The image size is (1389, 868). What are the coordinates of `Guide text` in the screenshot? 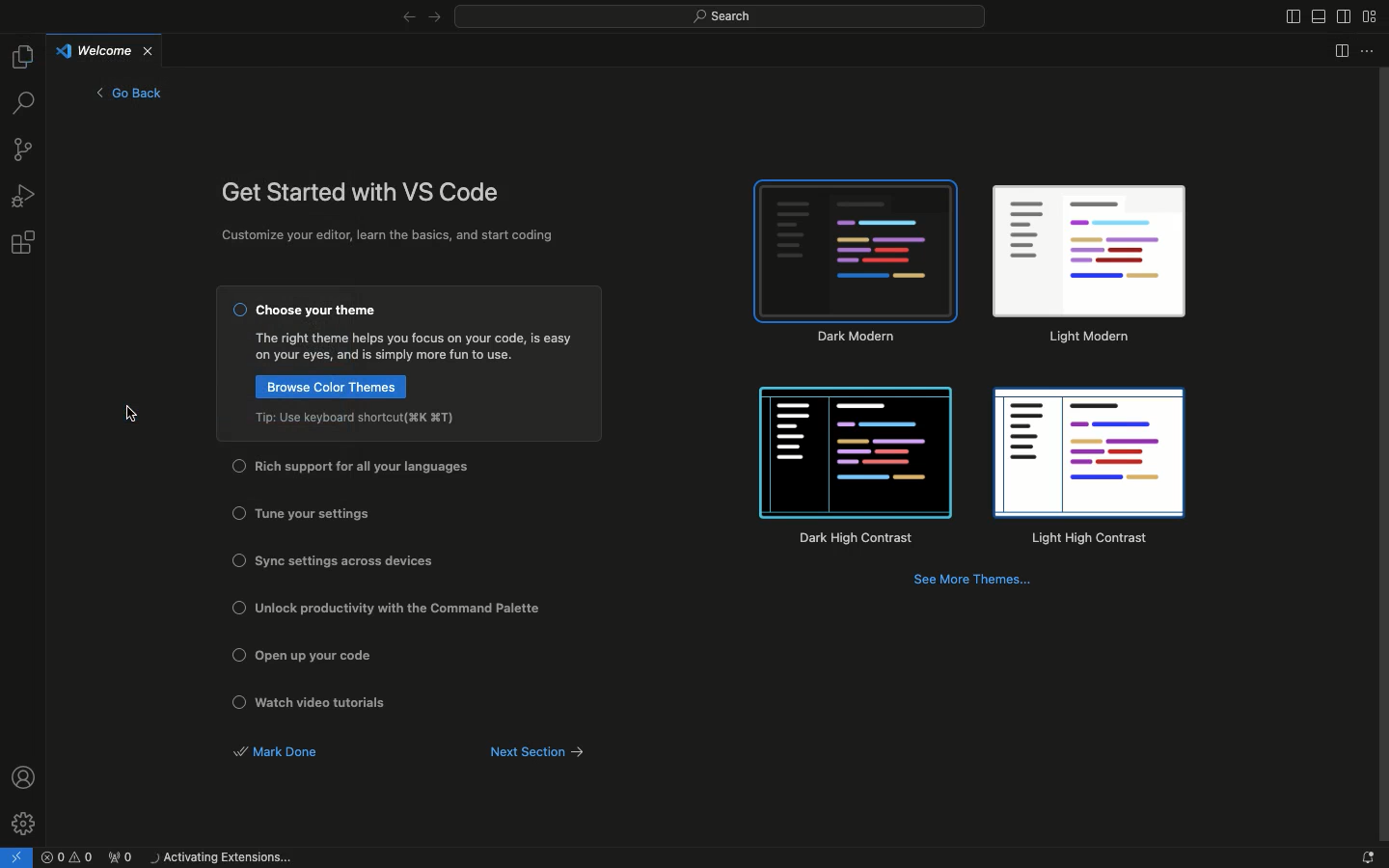 It's located at (416, 347).